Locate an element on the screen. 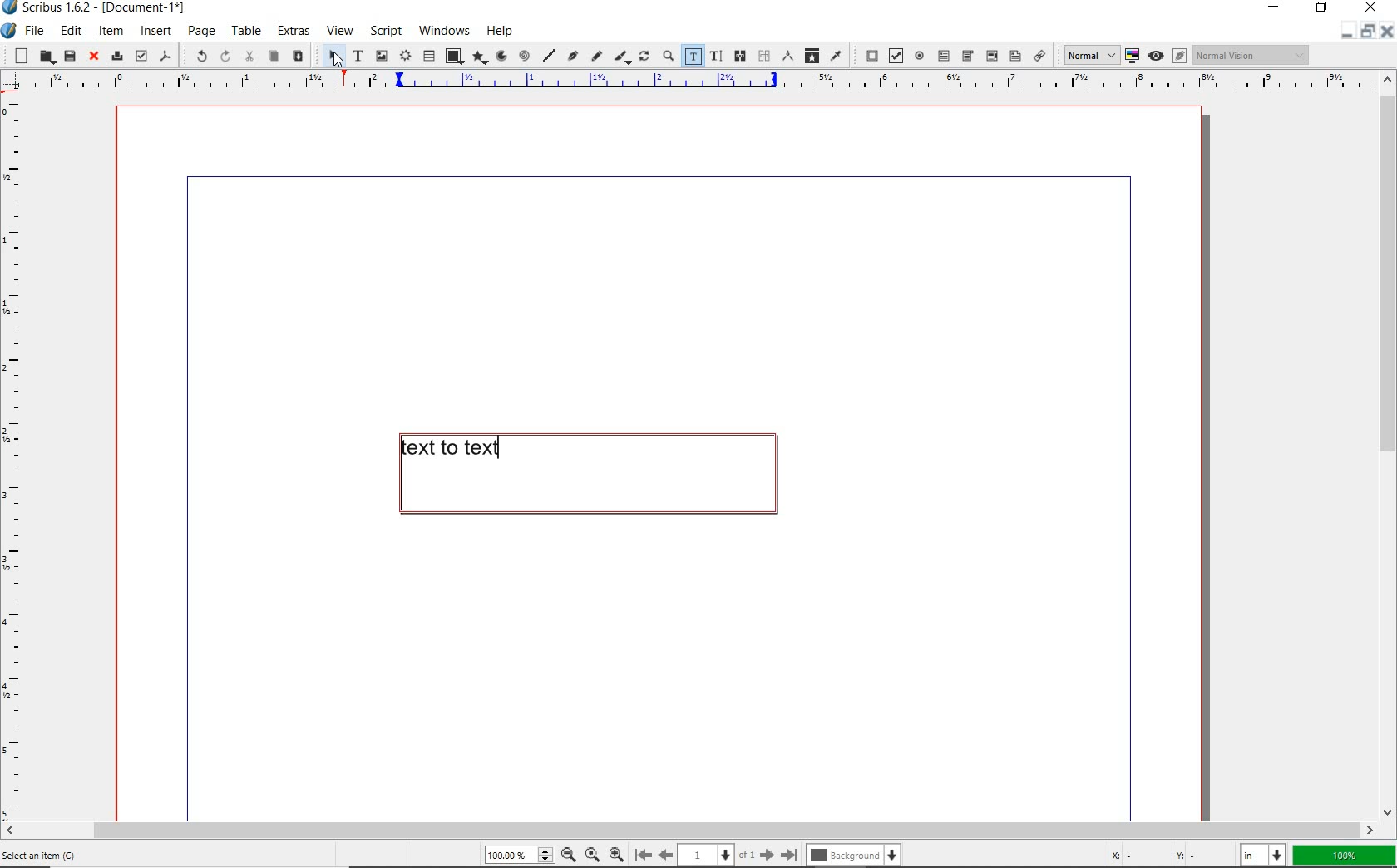 The width and height of the screenshot is (1397, 868). save is located at coordinates (69, 56).